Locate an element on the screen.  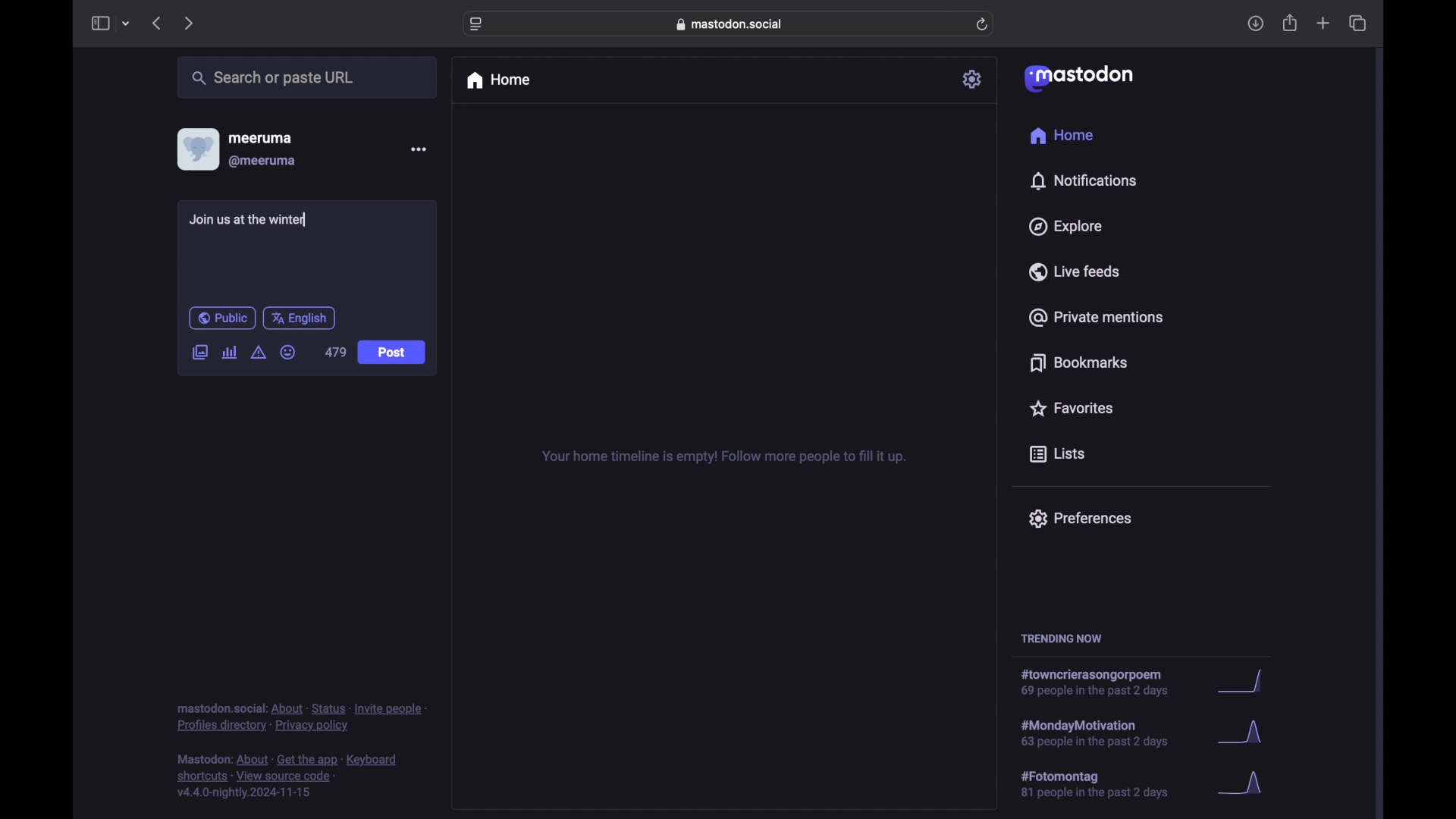
display picture is located at coordinates (196, 149).